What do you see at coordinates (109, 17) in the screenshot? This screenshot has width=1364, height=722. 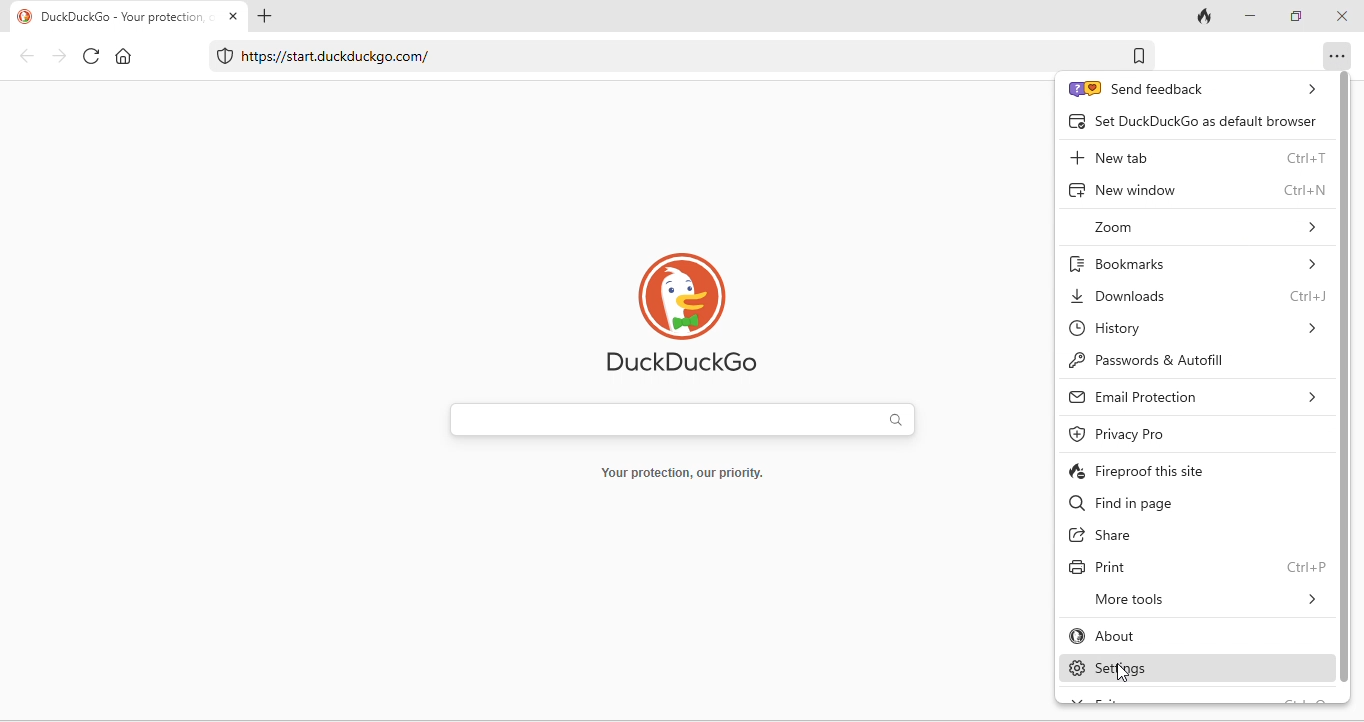 I see `DuckDuckGo- Your protection` at bounding box center [109, 17].